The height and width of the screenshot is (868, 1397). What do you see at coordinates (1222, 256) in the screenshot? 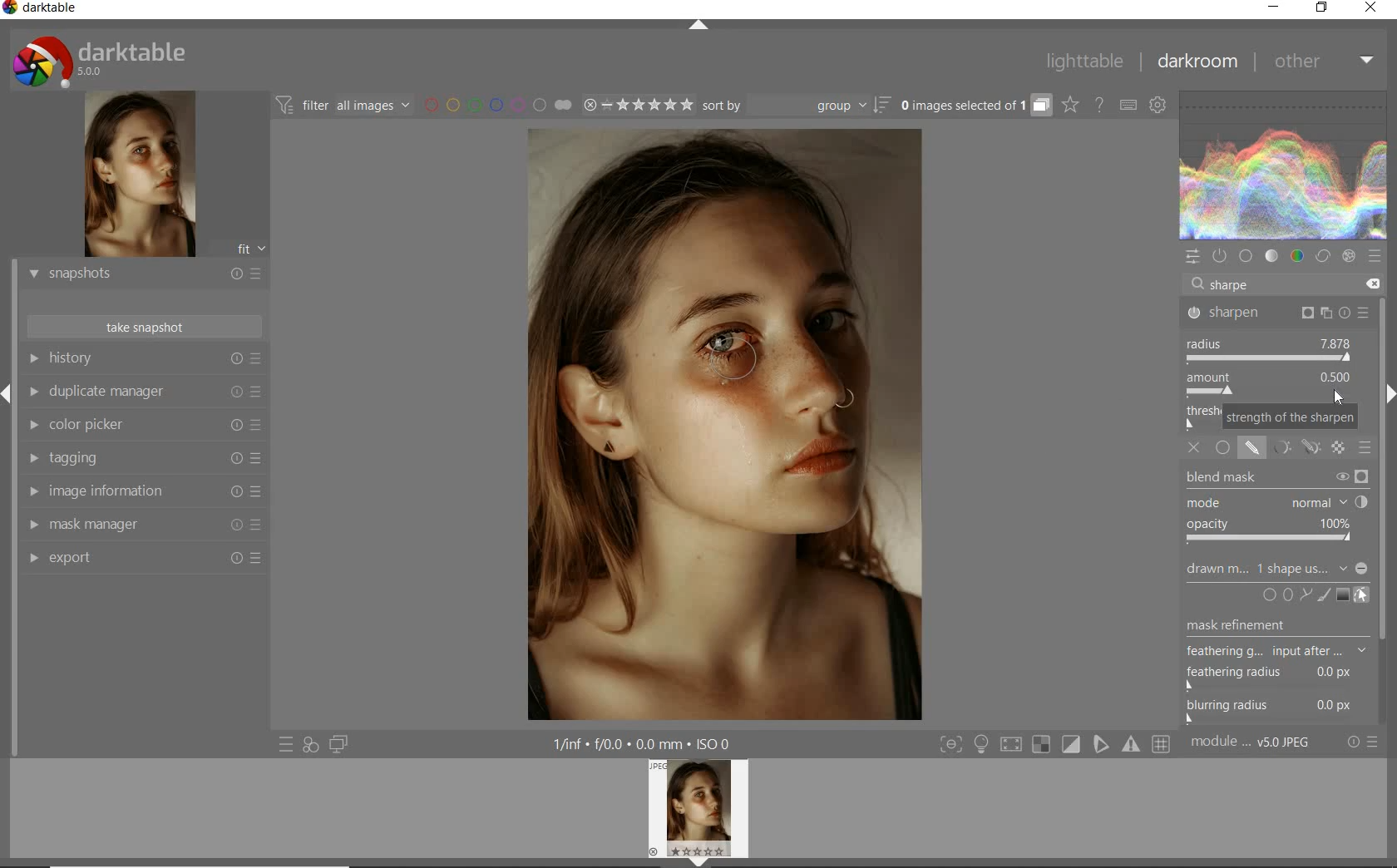
I see `show only active modules` at bounding box center [1222, 256].